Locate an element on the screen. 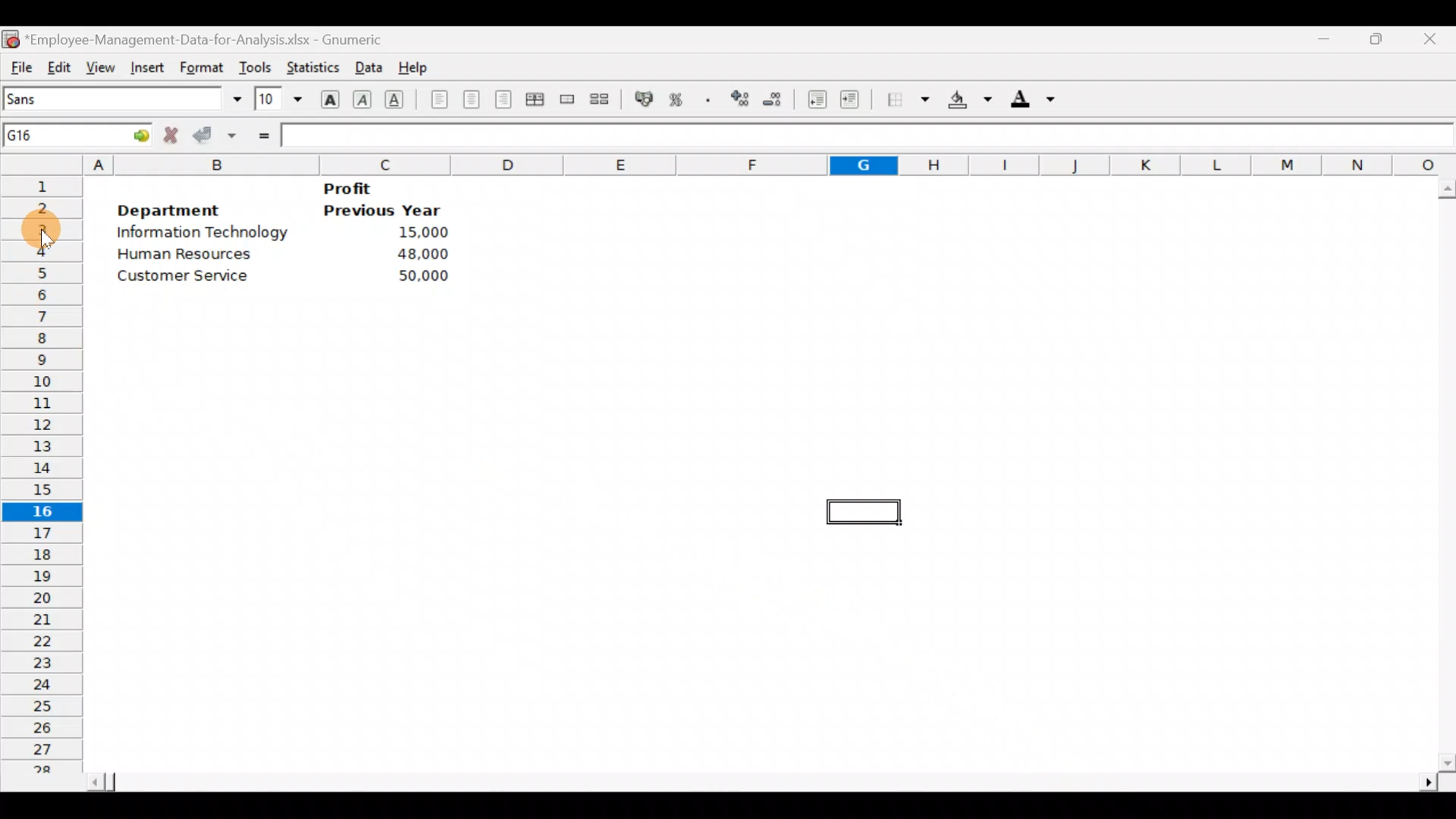 This screenshot has height=819, width=1456. Customer service is located at coordinates (190, 279).